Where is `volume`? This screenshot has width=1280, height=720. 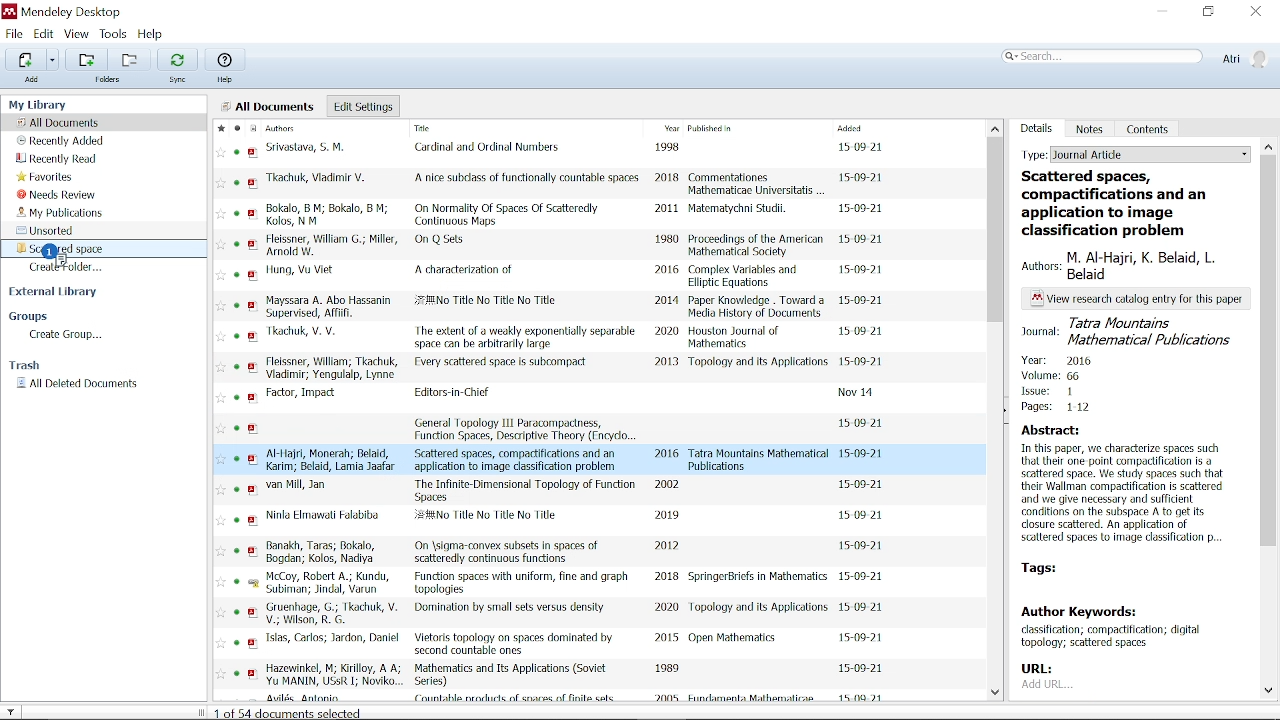
volume is located at coordinates (1052, 377).